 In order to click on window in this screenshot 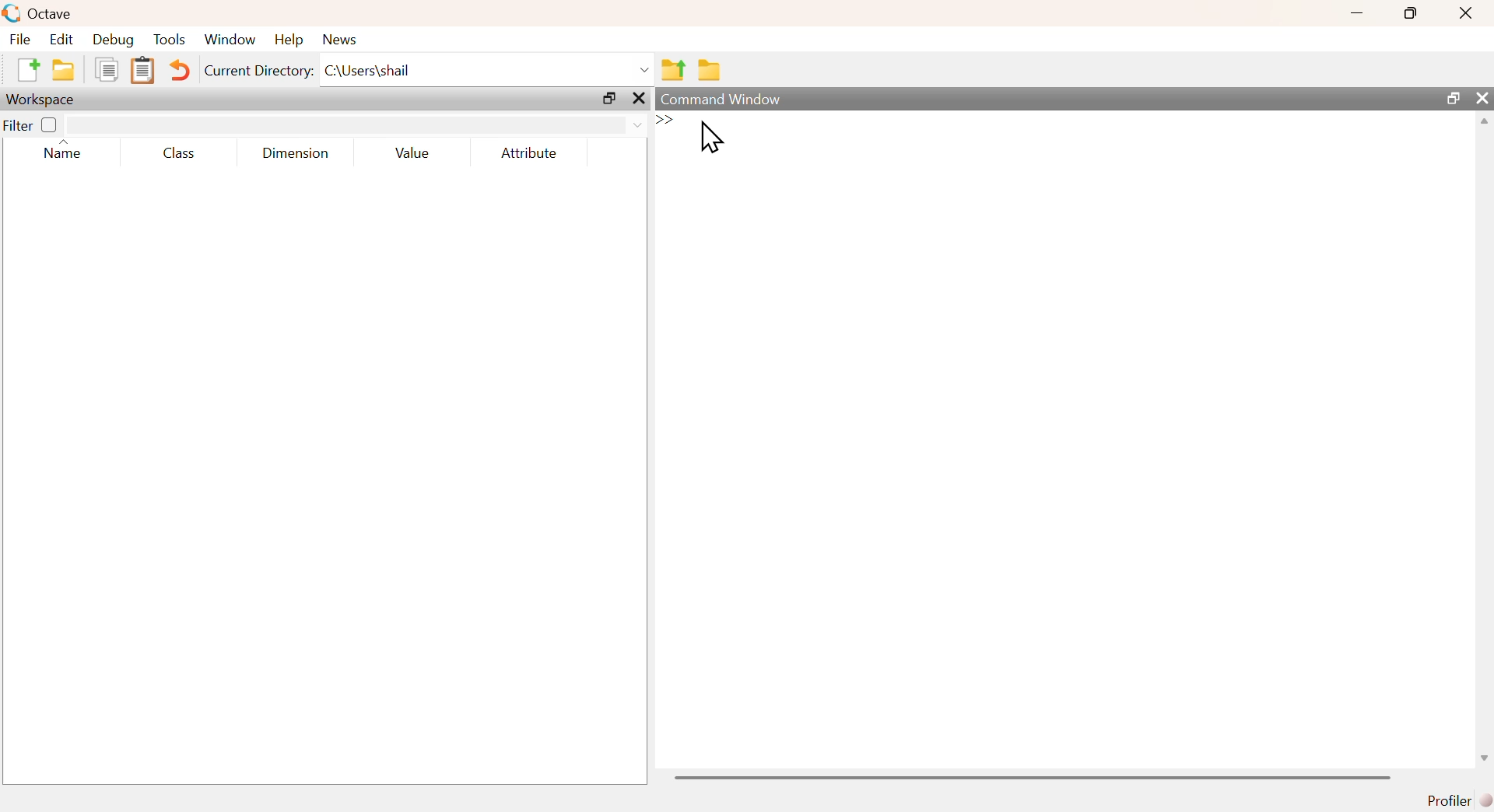, I will do `click(232, 39)`.